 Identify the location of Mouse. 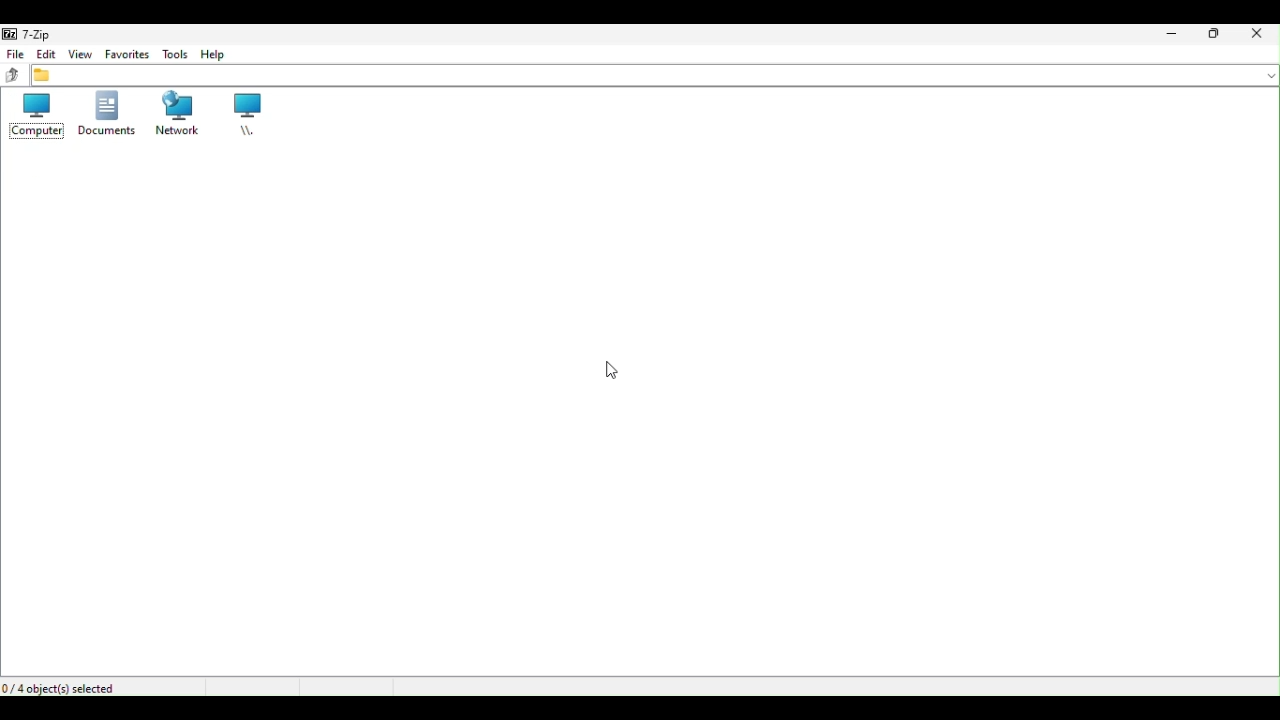
(618, 372).